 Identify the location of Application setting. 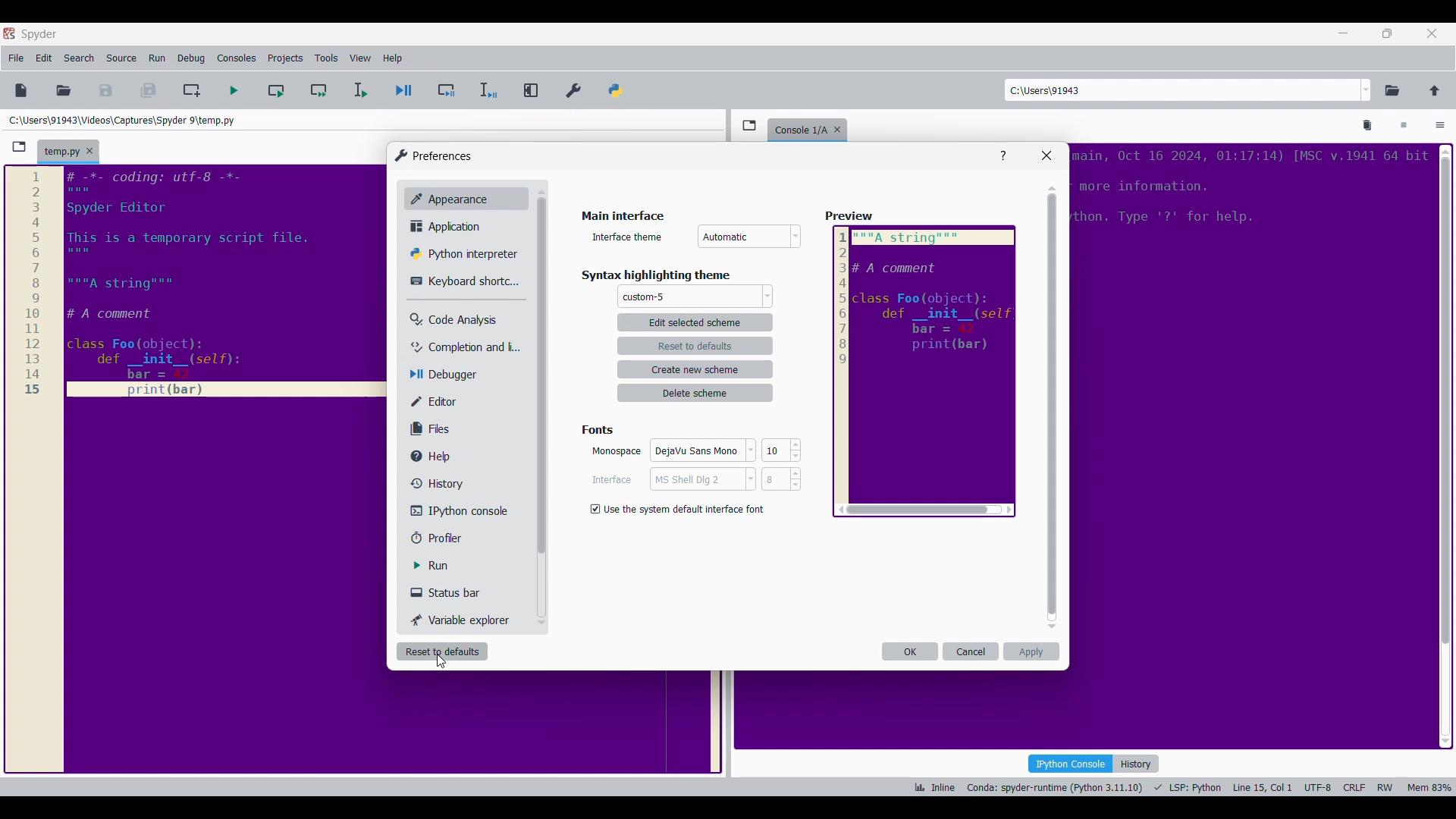
(467, 226).